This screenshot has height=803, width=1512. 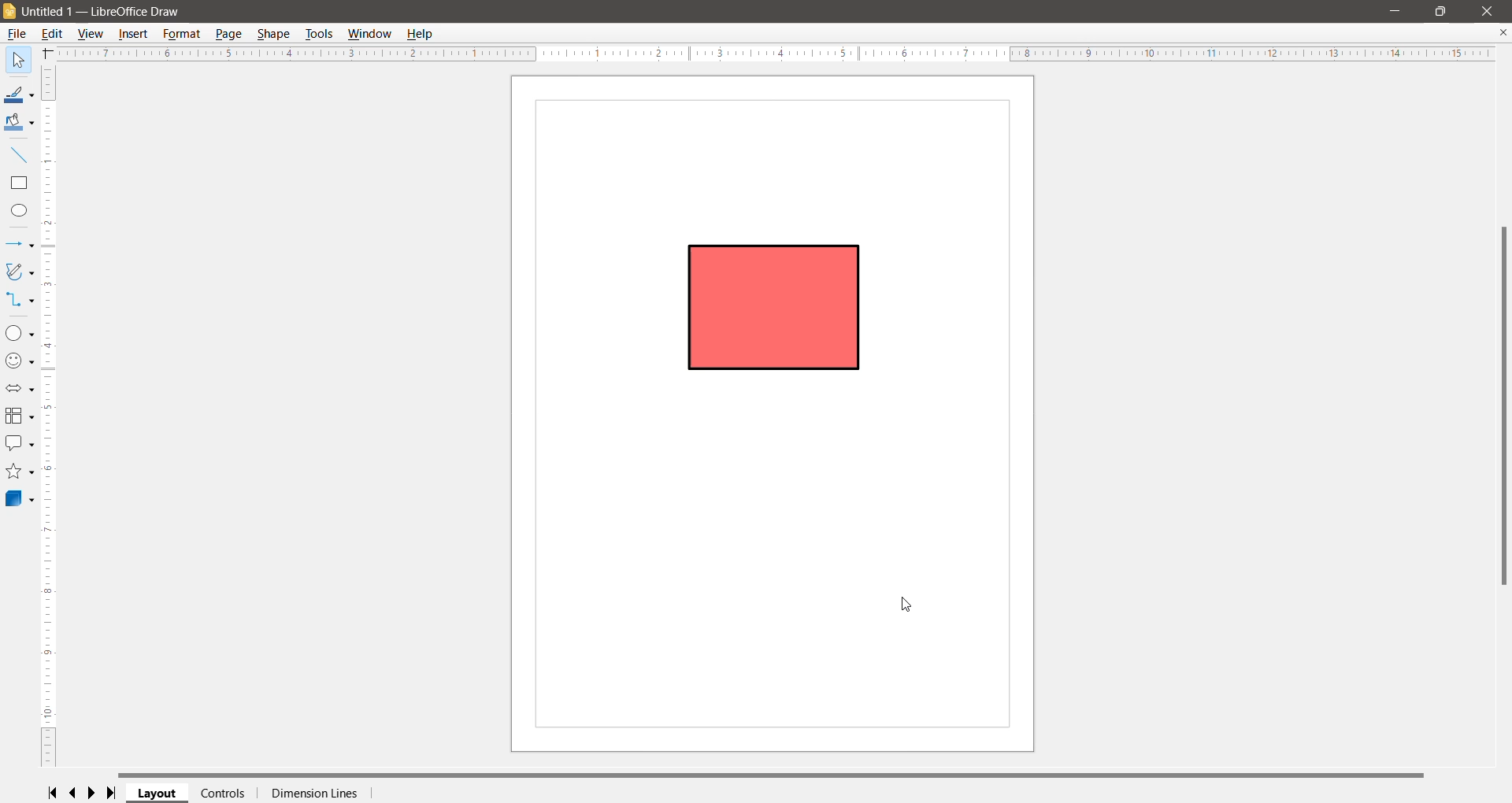 What do you see at coordinates (108, 12) in the screenshot?
I see `Document Title - Application Name` at bounding box center [108, 12].